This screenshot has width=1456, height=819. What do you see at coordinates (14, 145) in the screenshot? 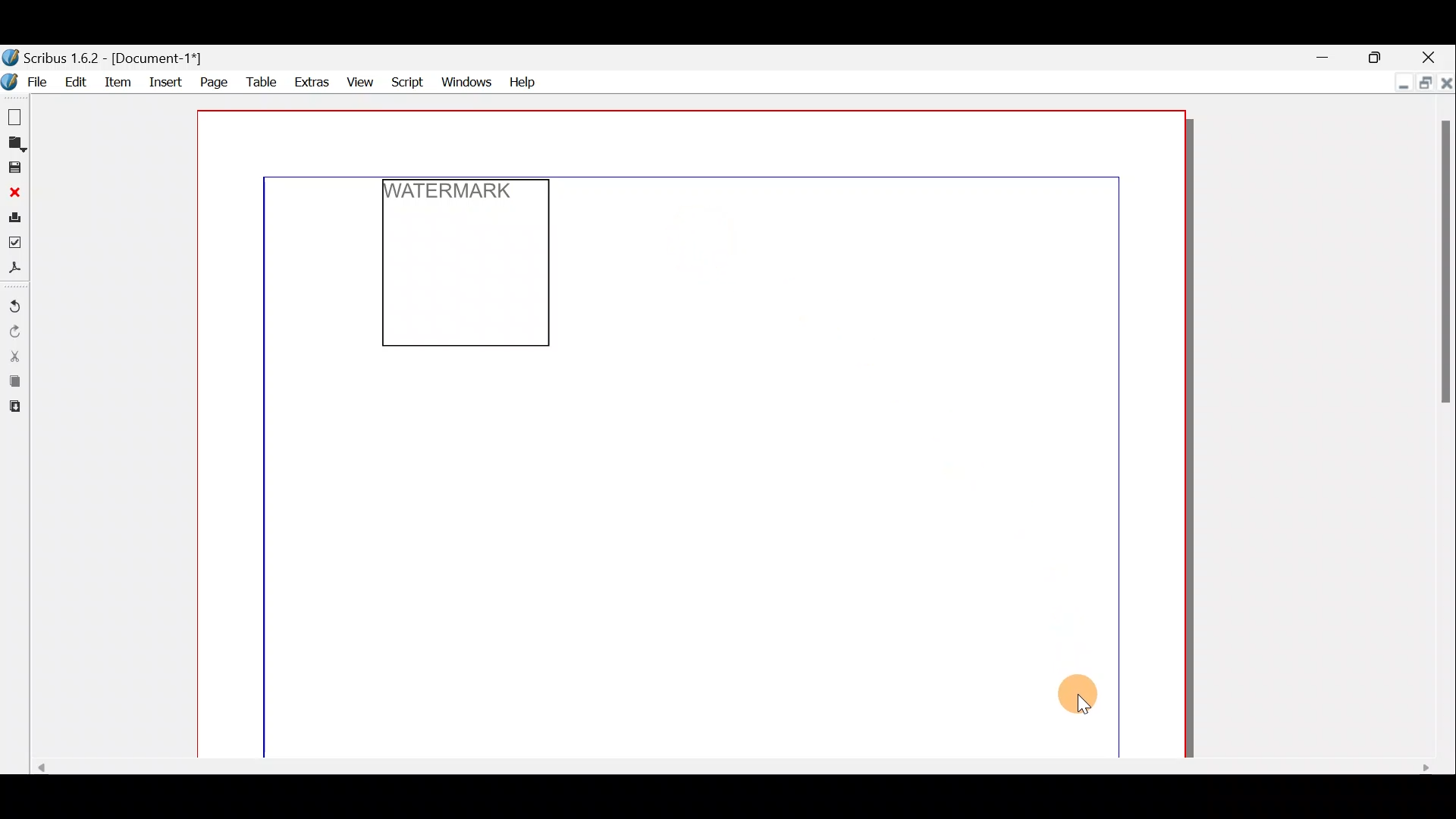
I see `Open` at bounding box center [14, 145].